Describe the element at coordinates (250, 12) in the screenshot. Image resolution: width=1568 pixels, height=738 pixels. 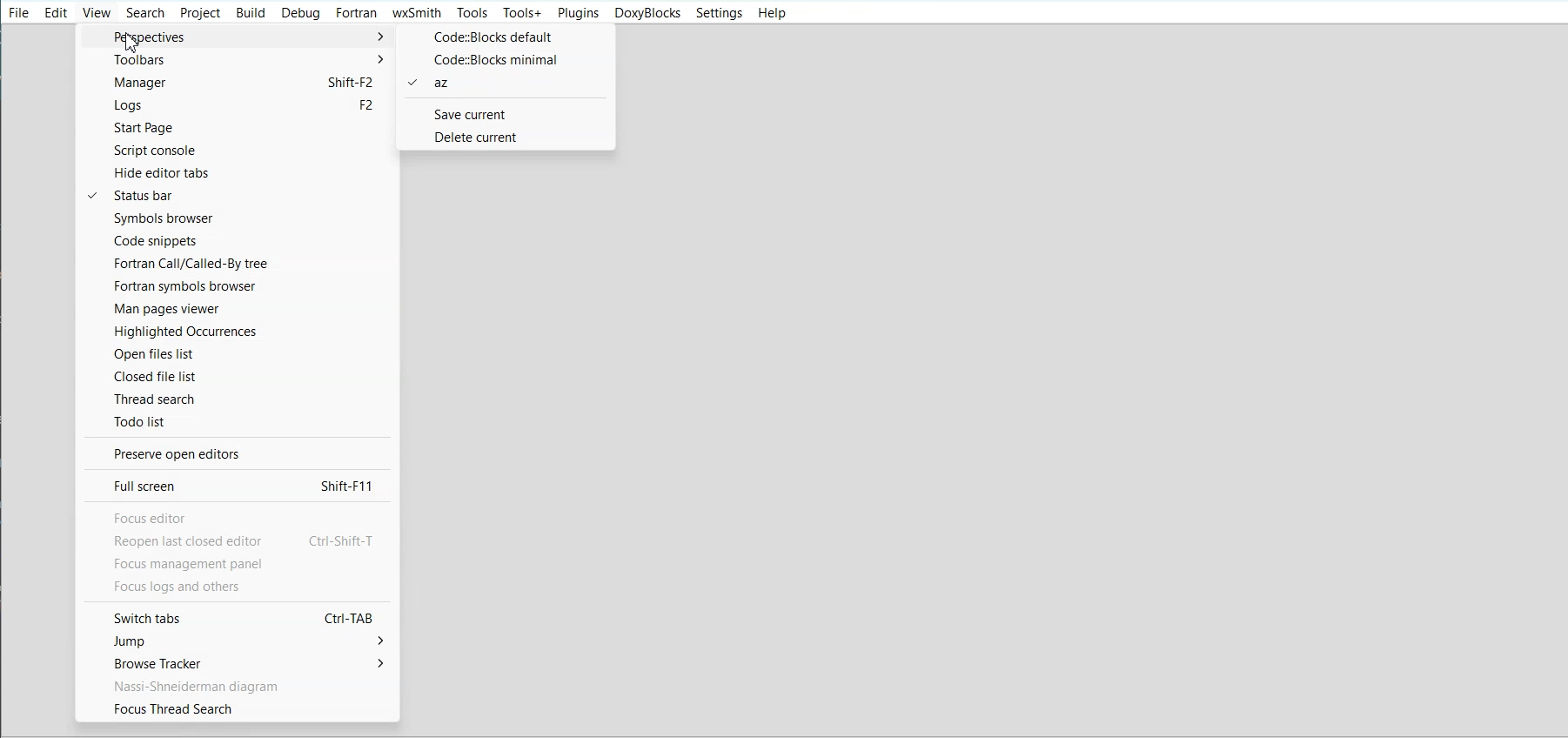
I see `Build` at that location.